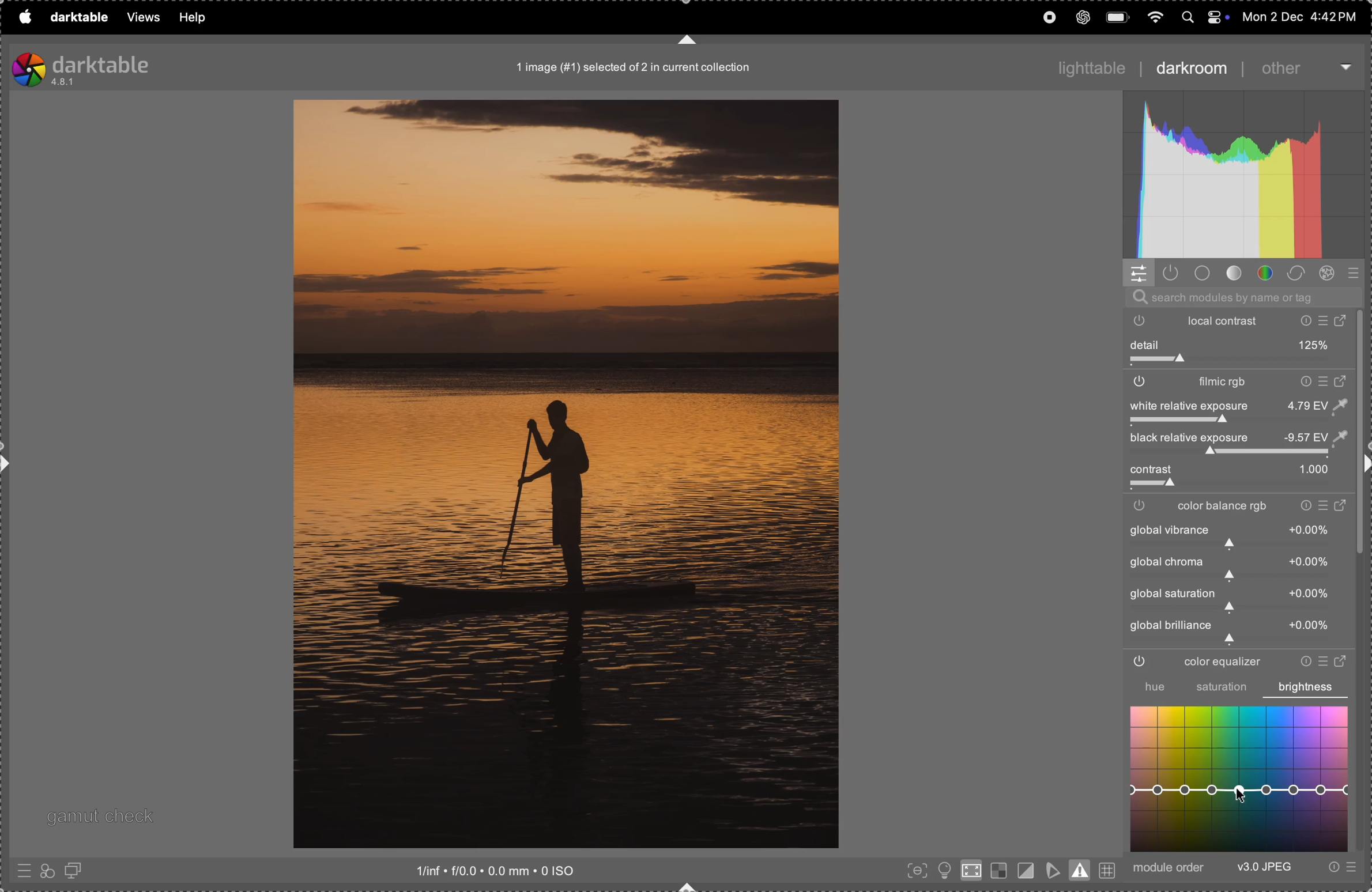 The height and width of the screenshot is (892, 1372). What do you see at coordinates (1235, 567) in the screenshot?
I see `global variance` at bounding box center [1235, 567].